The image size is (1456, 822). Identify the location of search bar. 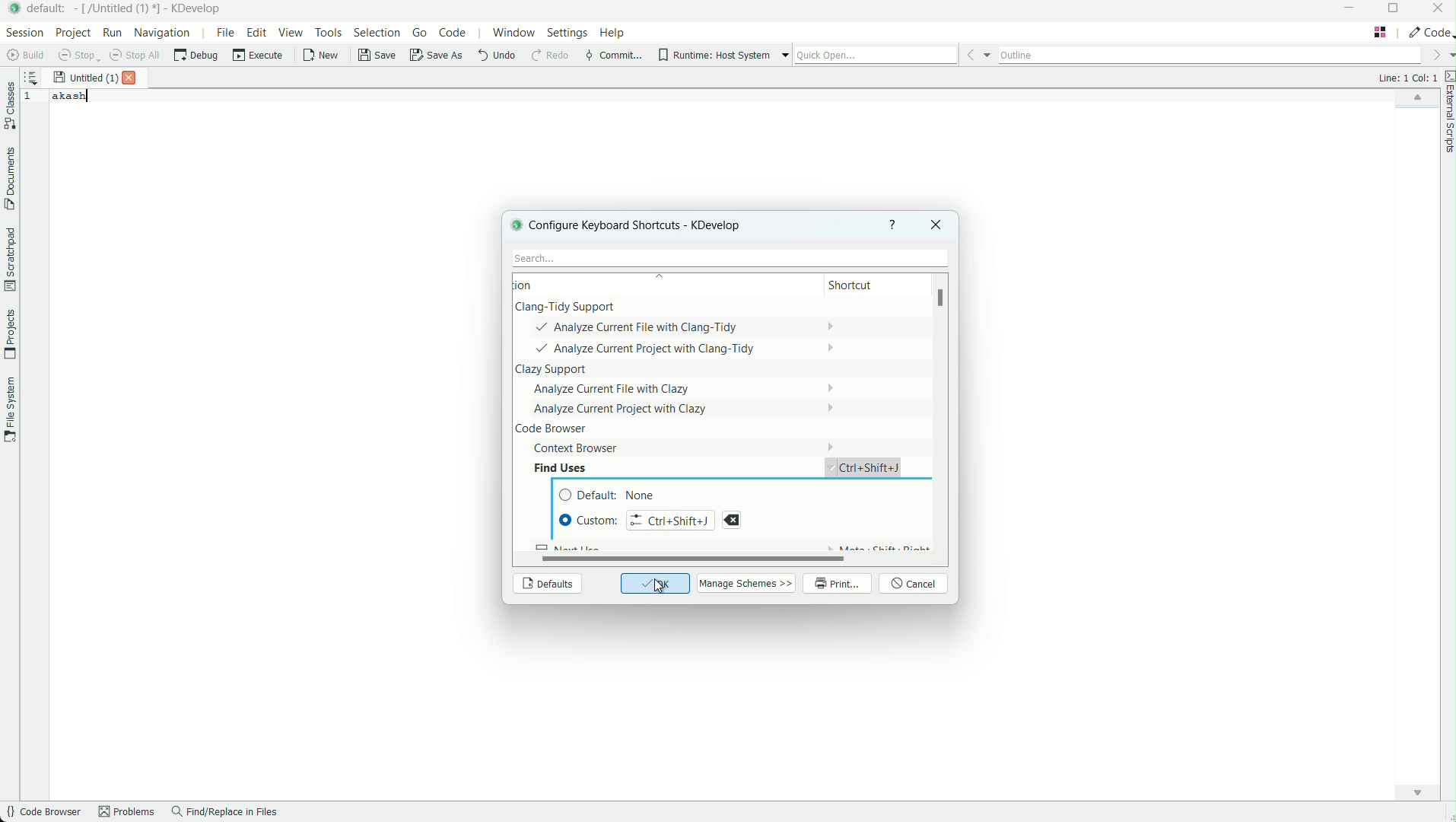
(726, 258).